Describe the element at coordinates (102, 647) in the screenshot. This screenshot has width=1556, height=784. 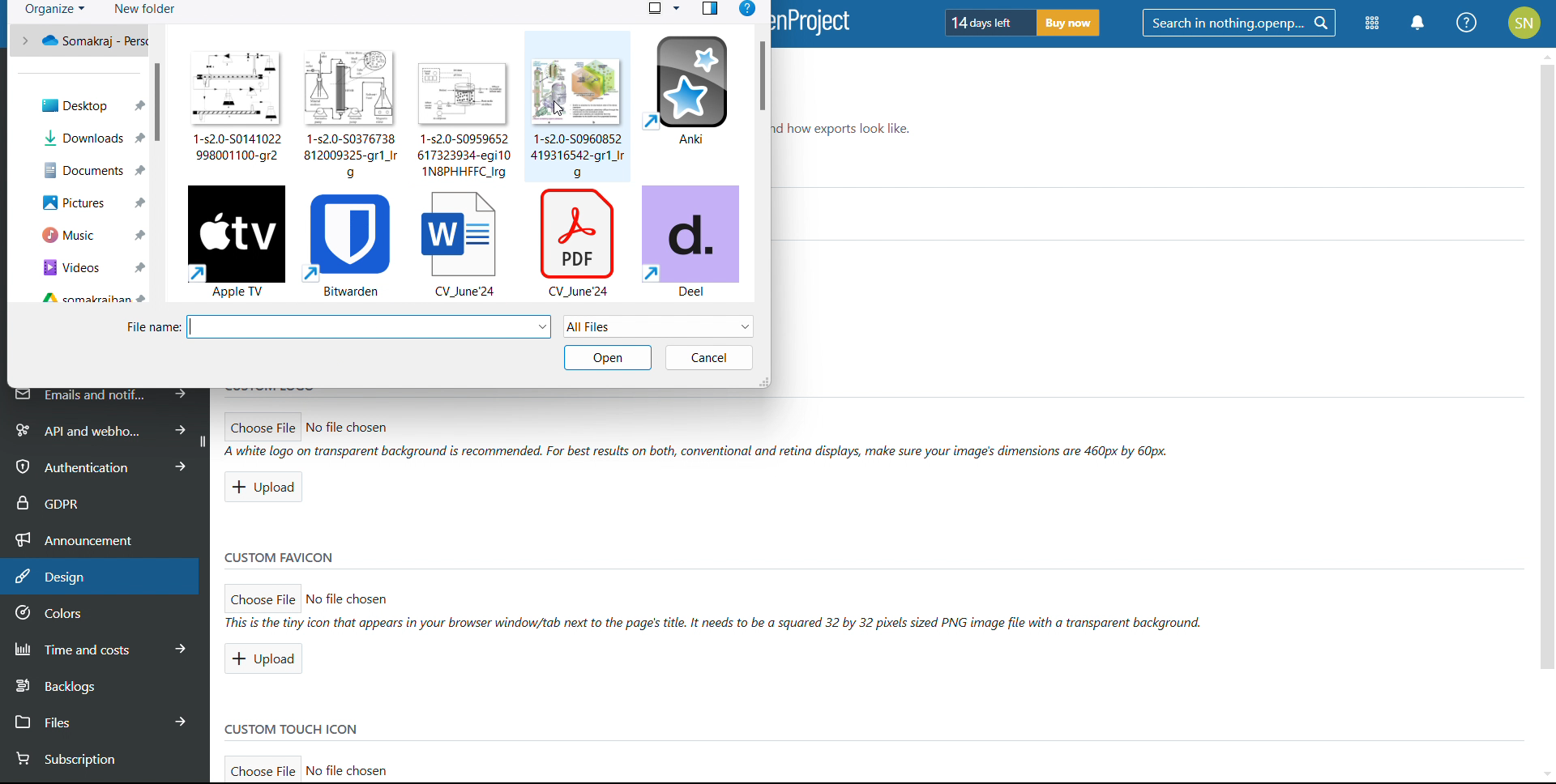
I see `time and costs` at that location.